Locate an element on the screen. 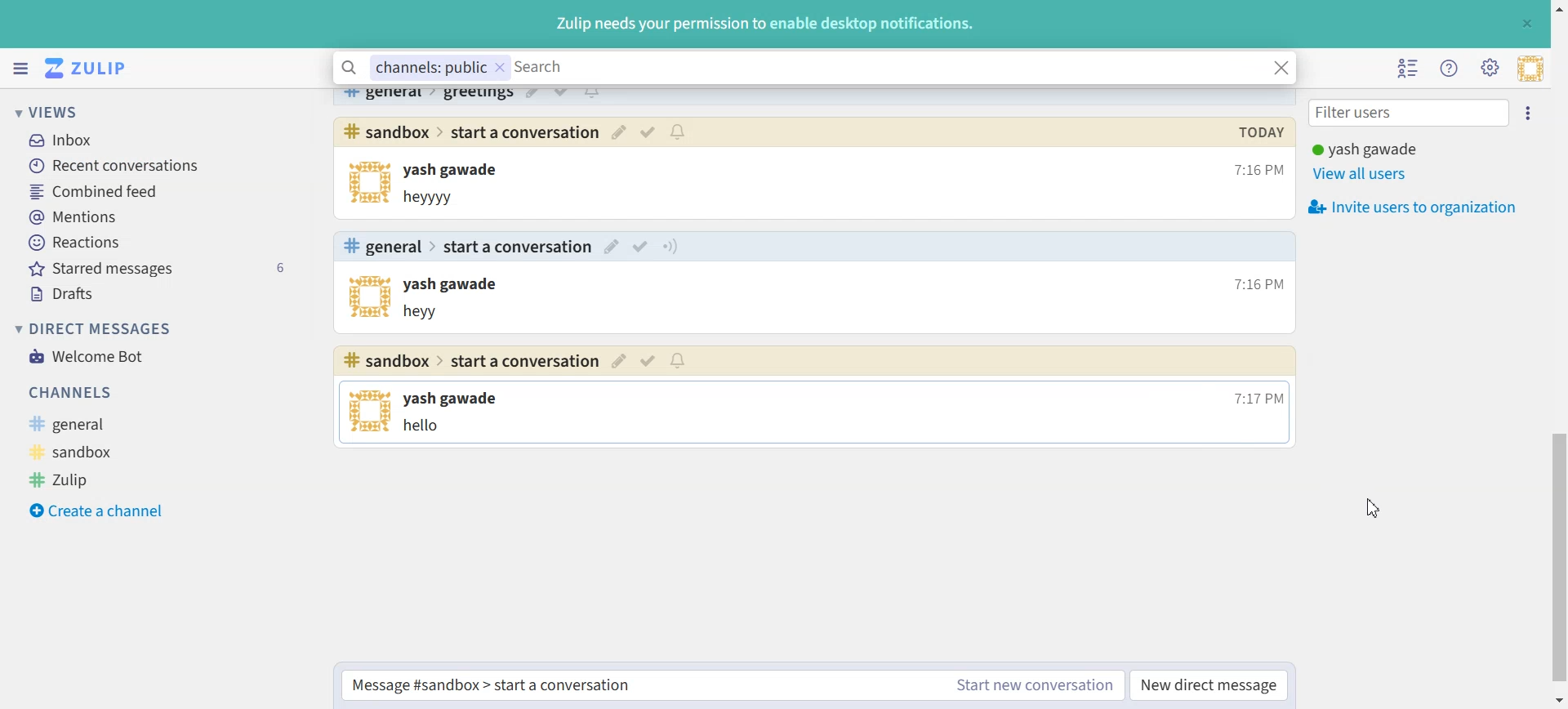  profile picture is located at coordinates (371, 412).